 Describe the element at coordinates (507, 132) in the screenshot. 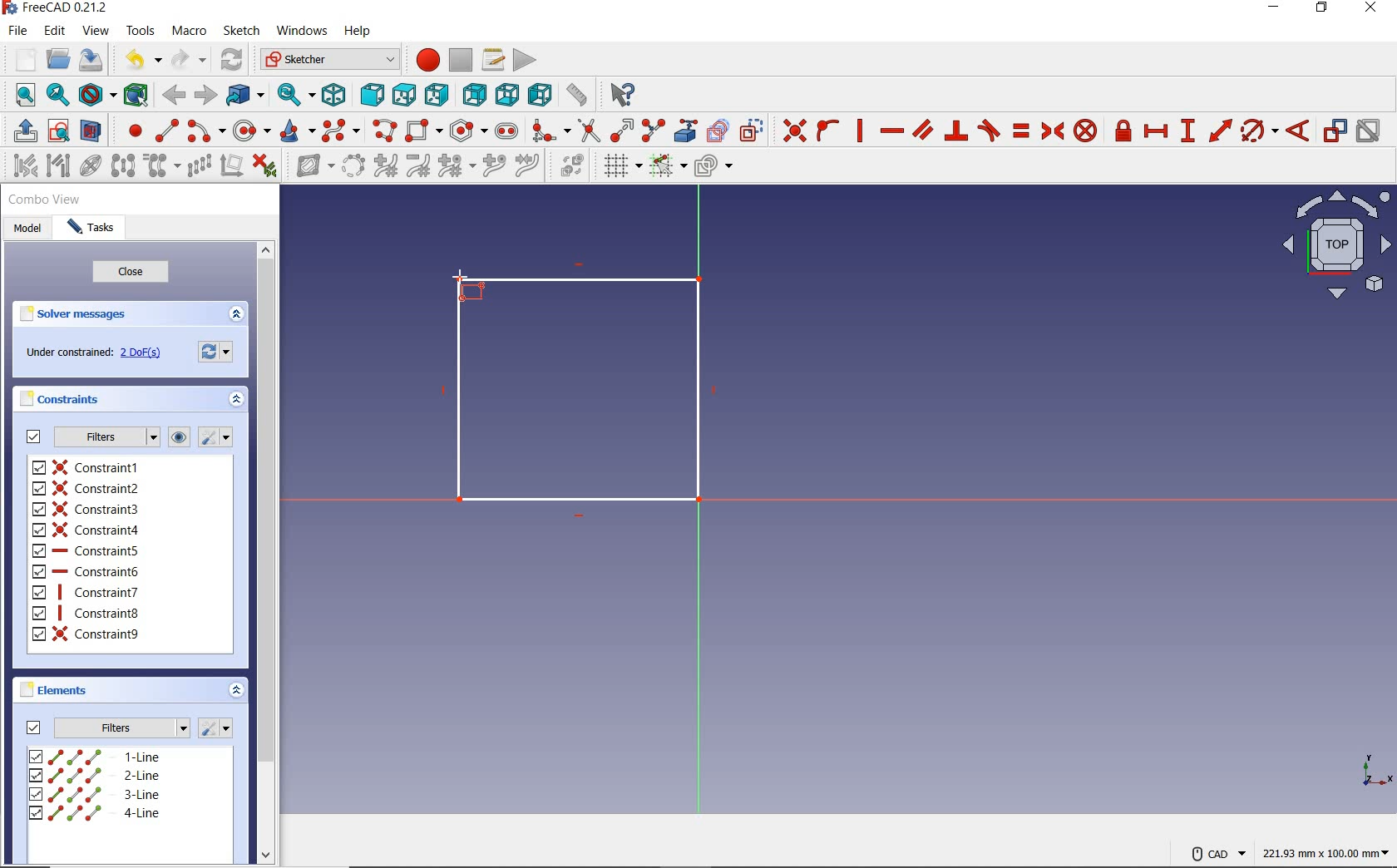

I see `create slot` at that location.